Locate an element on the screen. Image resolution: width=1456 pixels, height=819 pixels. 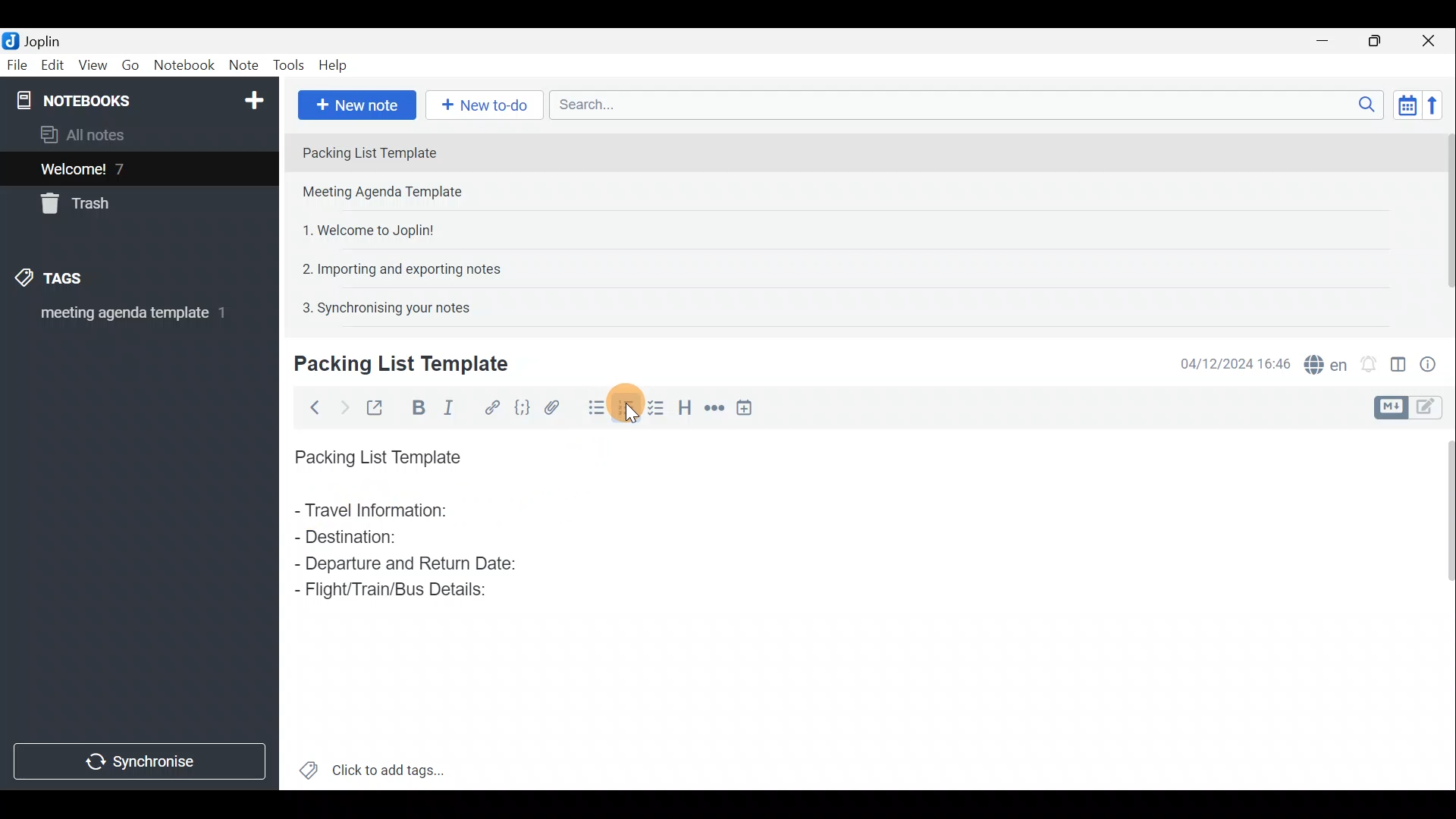
Numbered list is located at coordinates (657, 407).